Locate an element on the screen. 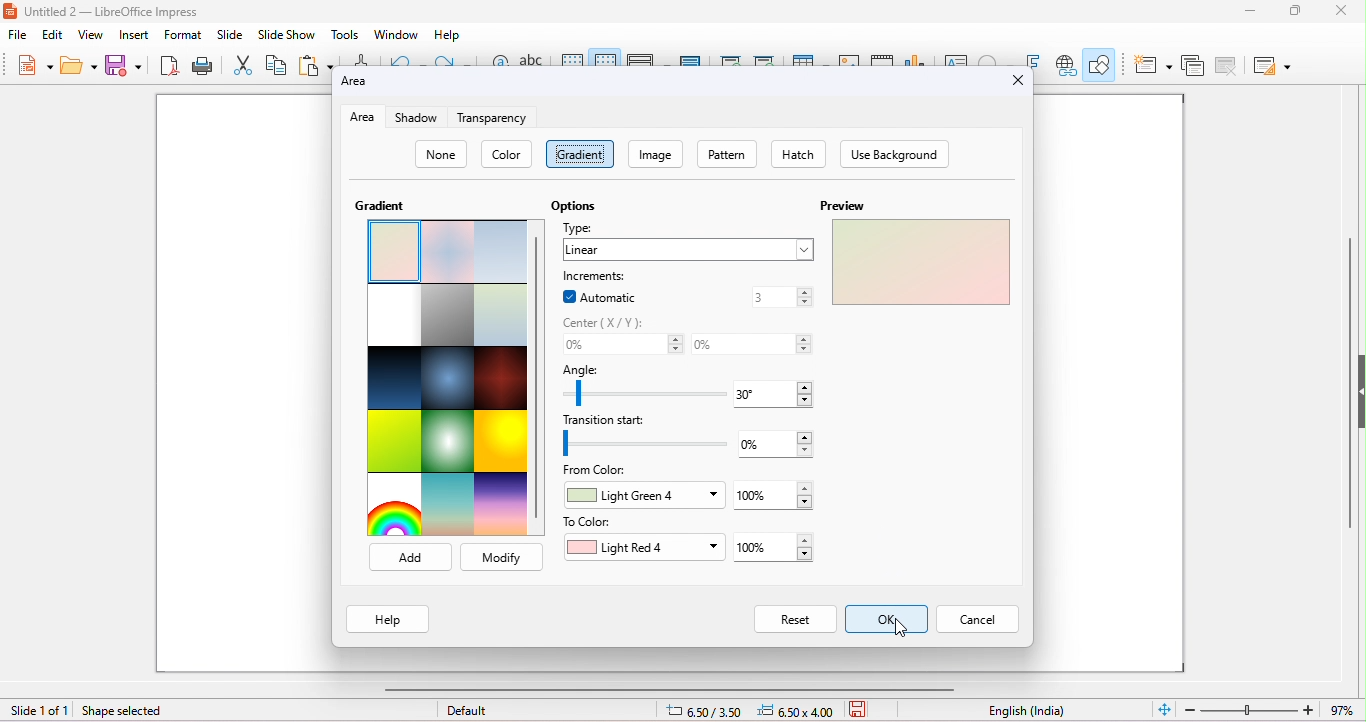 The height and width of the screenshot is (722, 1366). reset is located at coordinates (795, 618).